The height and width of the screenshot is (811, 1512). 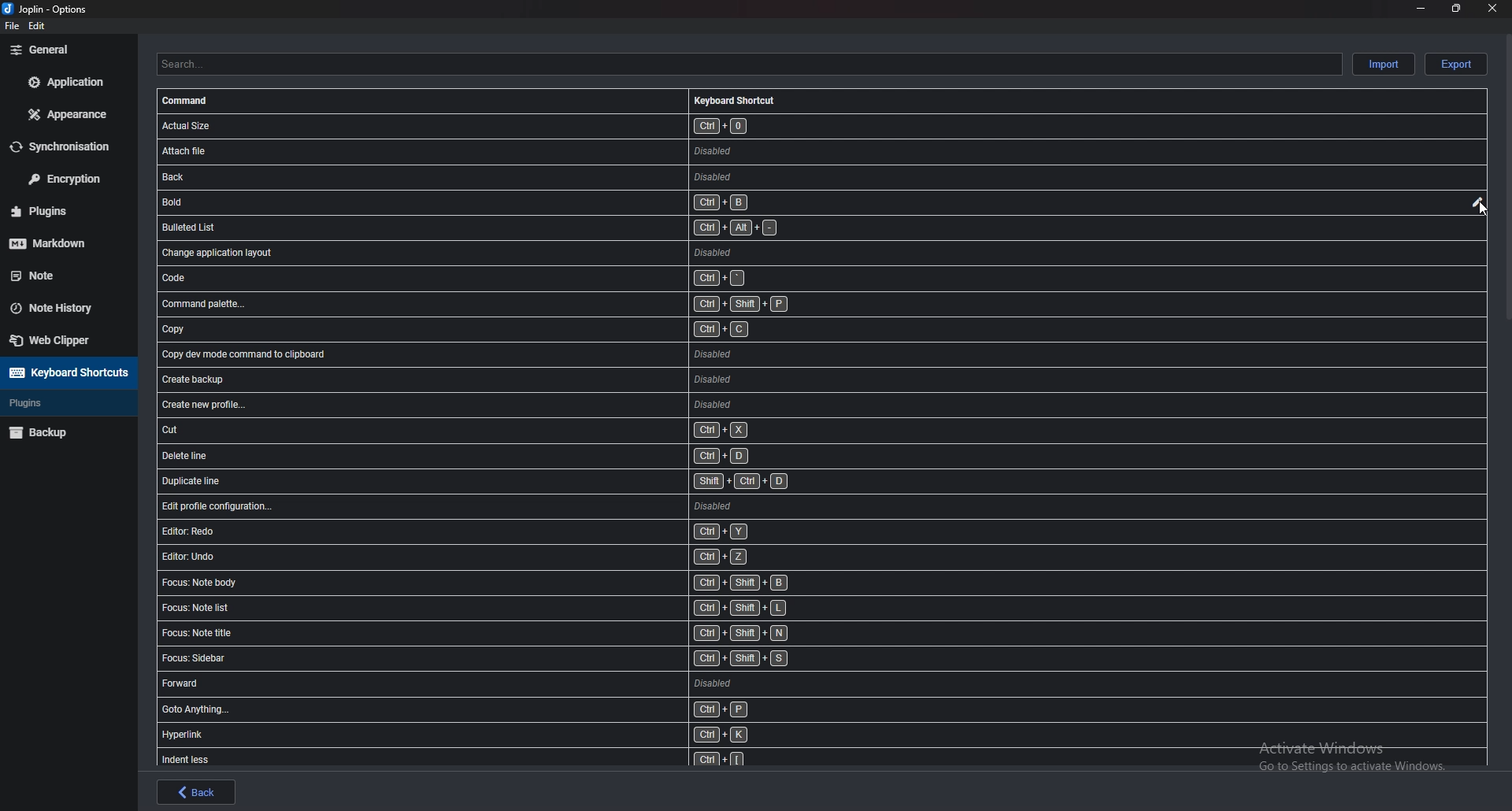 I want to click on Keyboard shortcuts, so click(x=735, y=98).